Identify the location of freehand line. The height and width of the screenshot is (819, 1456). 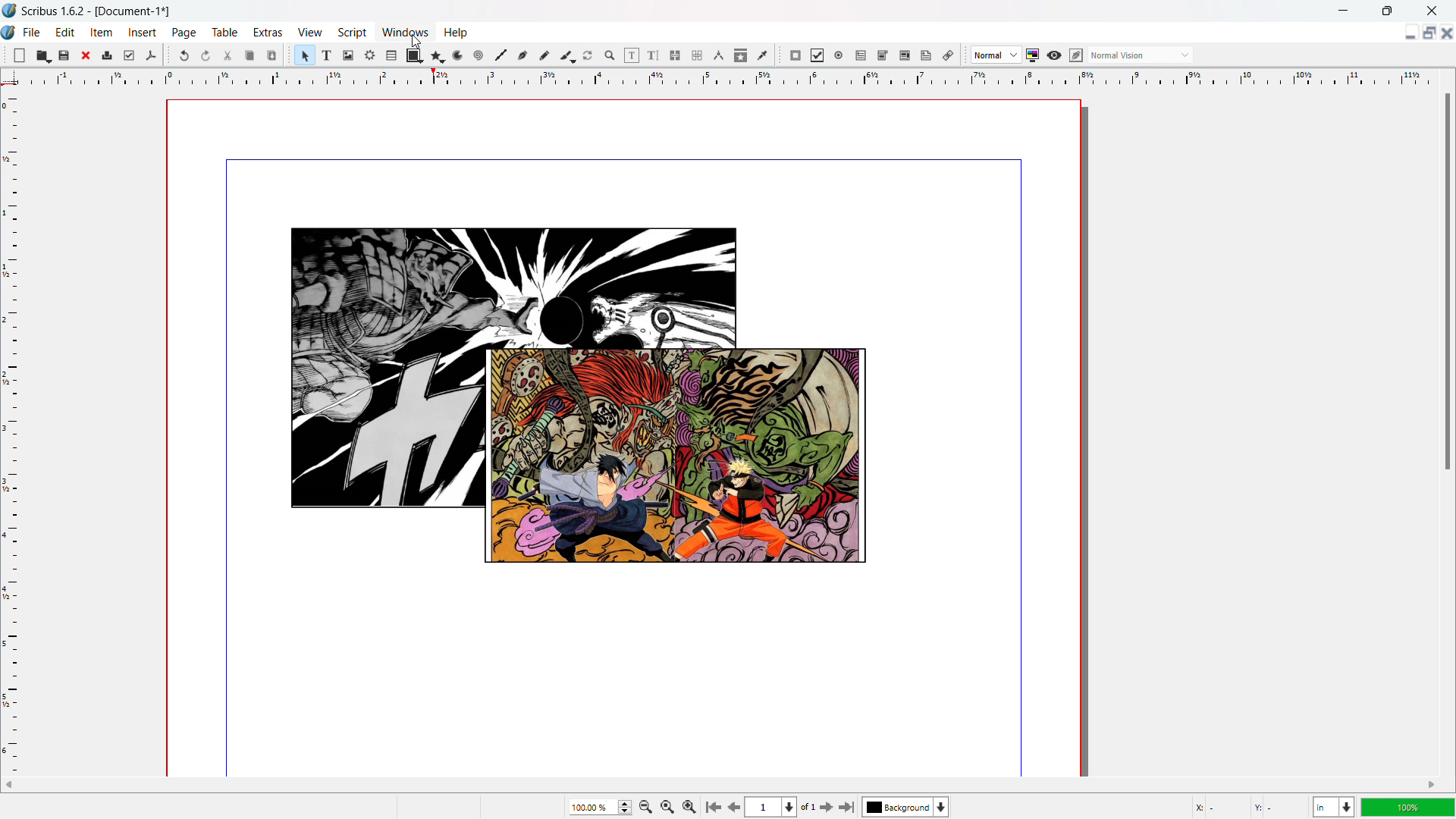
(544, 56).